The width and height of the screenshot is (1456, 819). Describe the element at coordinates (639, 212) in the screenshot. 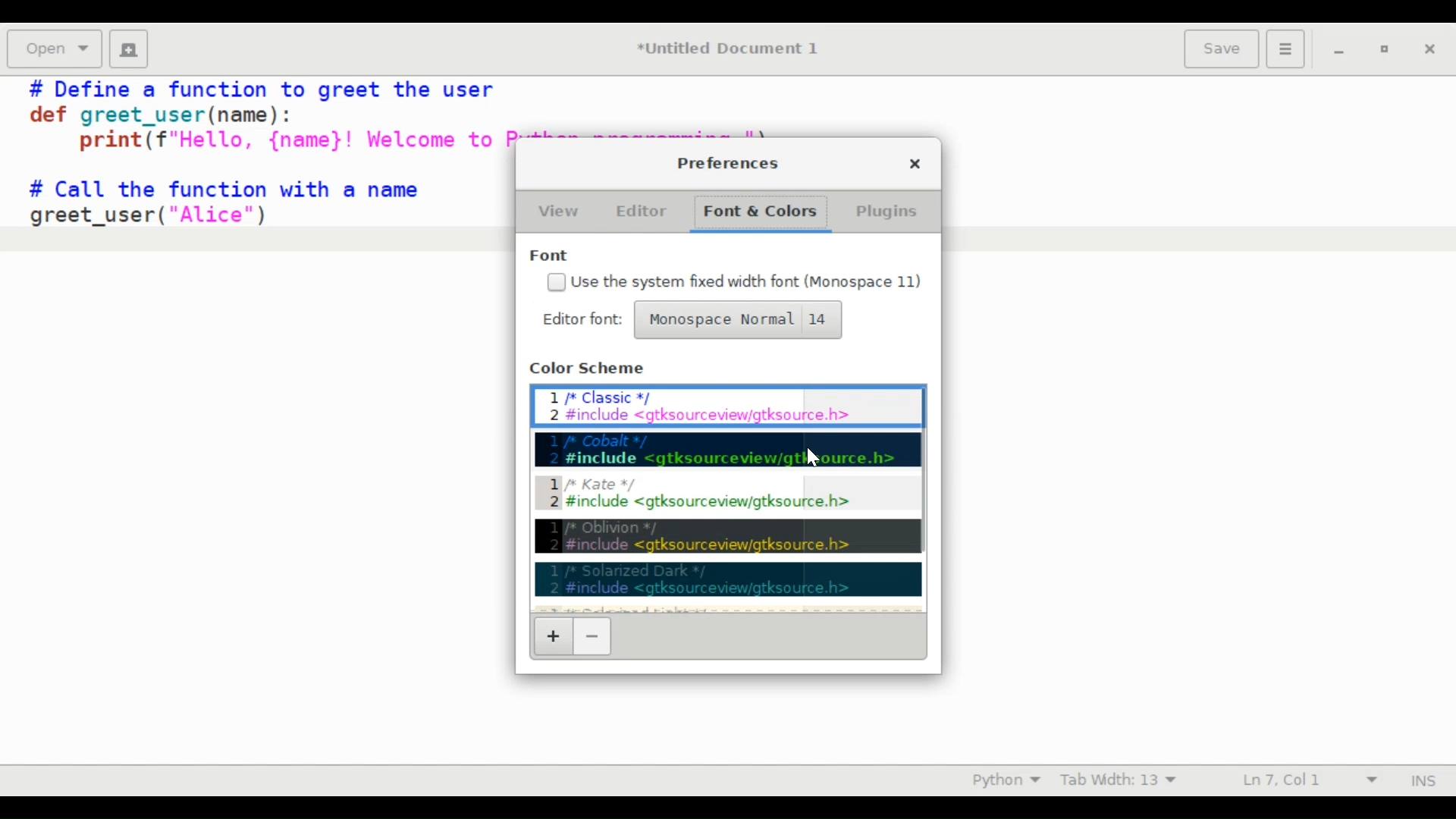

I see `Editor ` at that location.